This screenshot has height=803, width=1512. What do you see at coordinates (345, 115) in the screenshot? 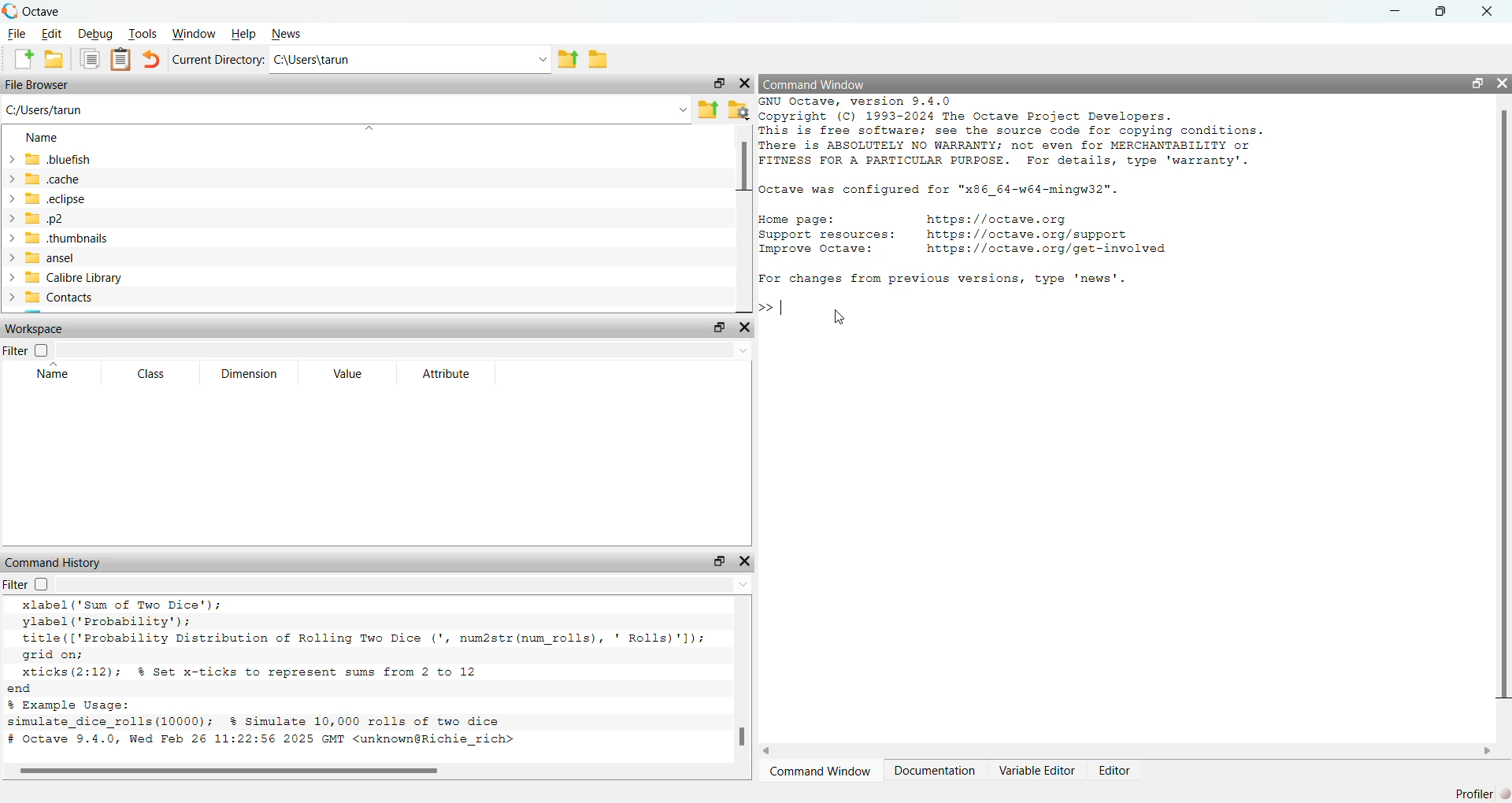
I see `C:/users/tarun` at bounding box center [345, 115].